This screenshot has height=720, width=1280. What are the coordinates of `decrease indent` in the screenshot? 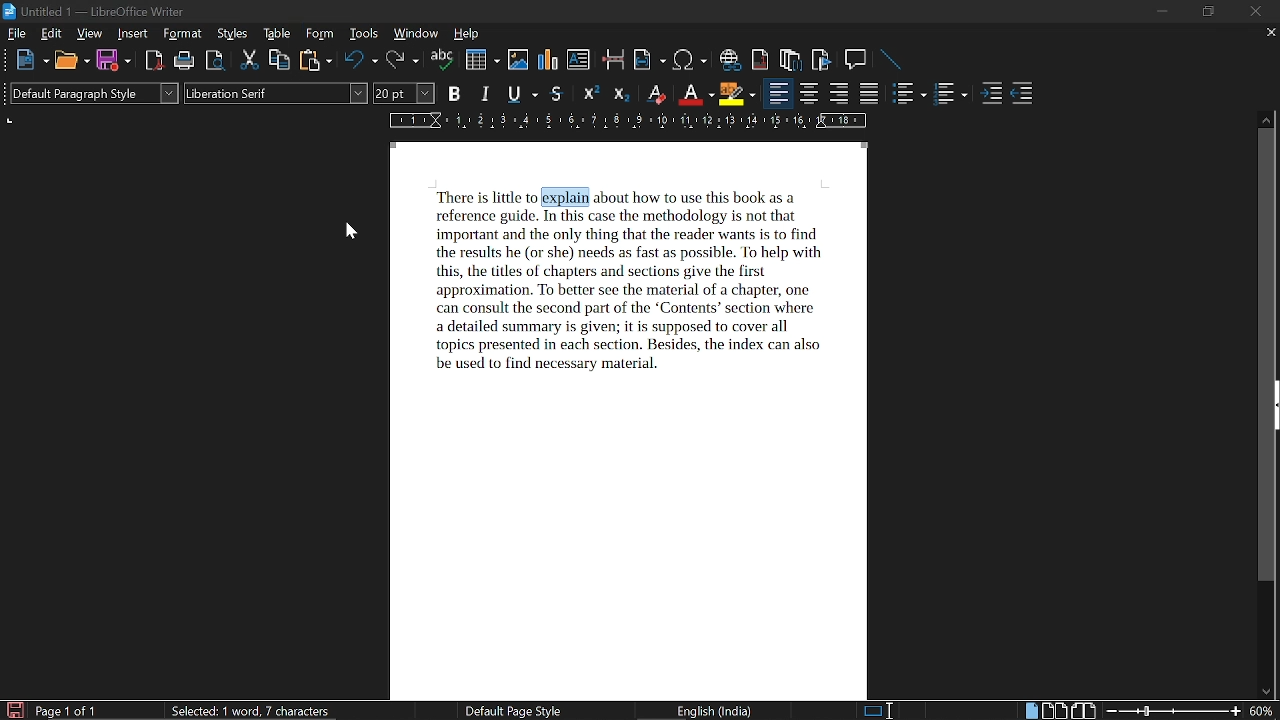 It's located at (1022, 94).